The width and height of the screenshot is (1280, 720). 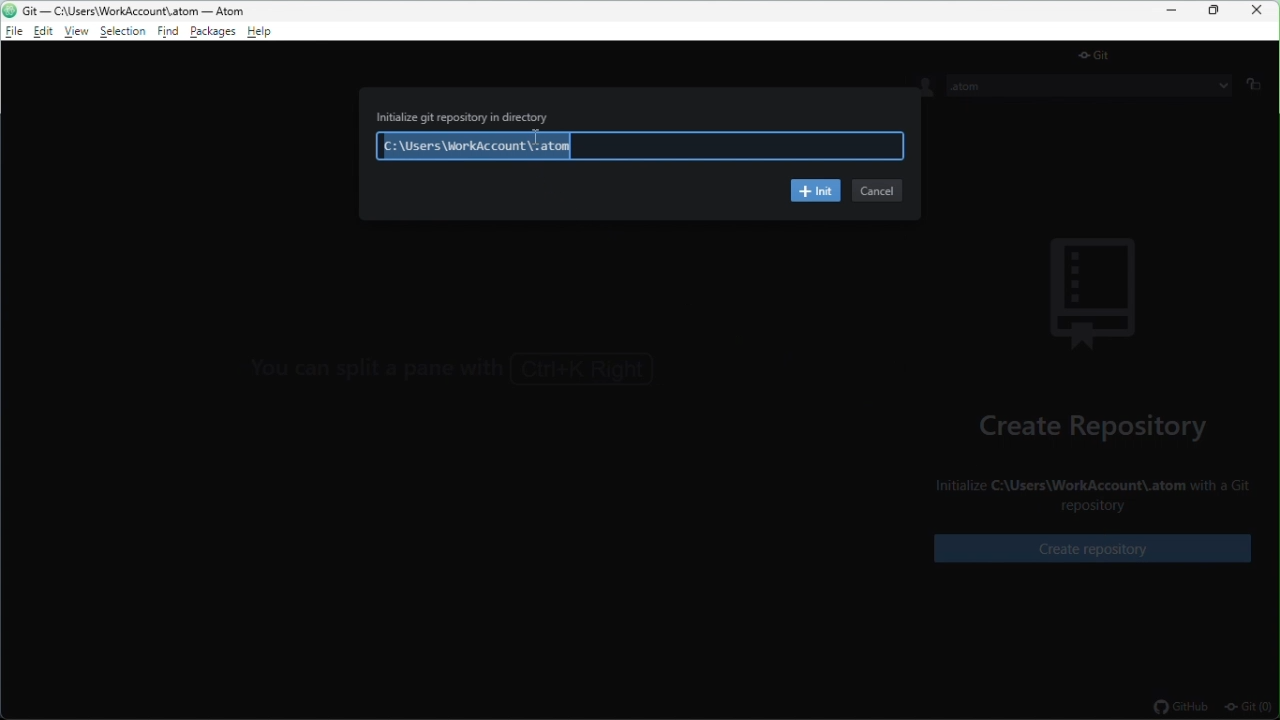 What do you see at coordinates (1097, 425) in the screenshot?
I see `create repository` at bounding box center [1097, 425].